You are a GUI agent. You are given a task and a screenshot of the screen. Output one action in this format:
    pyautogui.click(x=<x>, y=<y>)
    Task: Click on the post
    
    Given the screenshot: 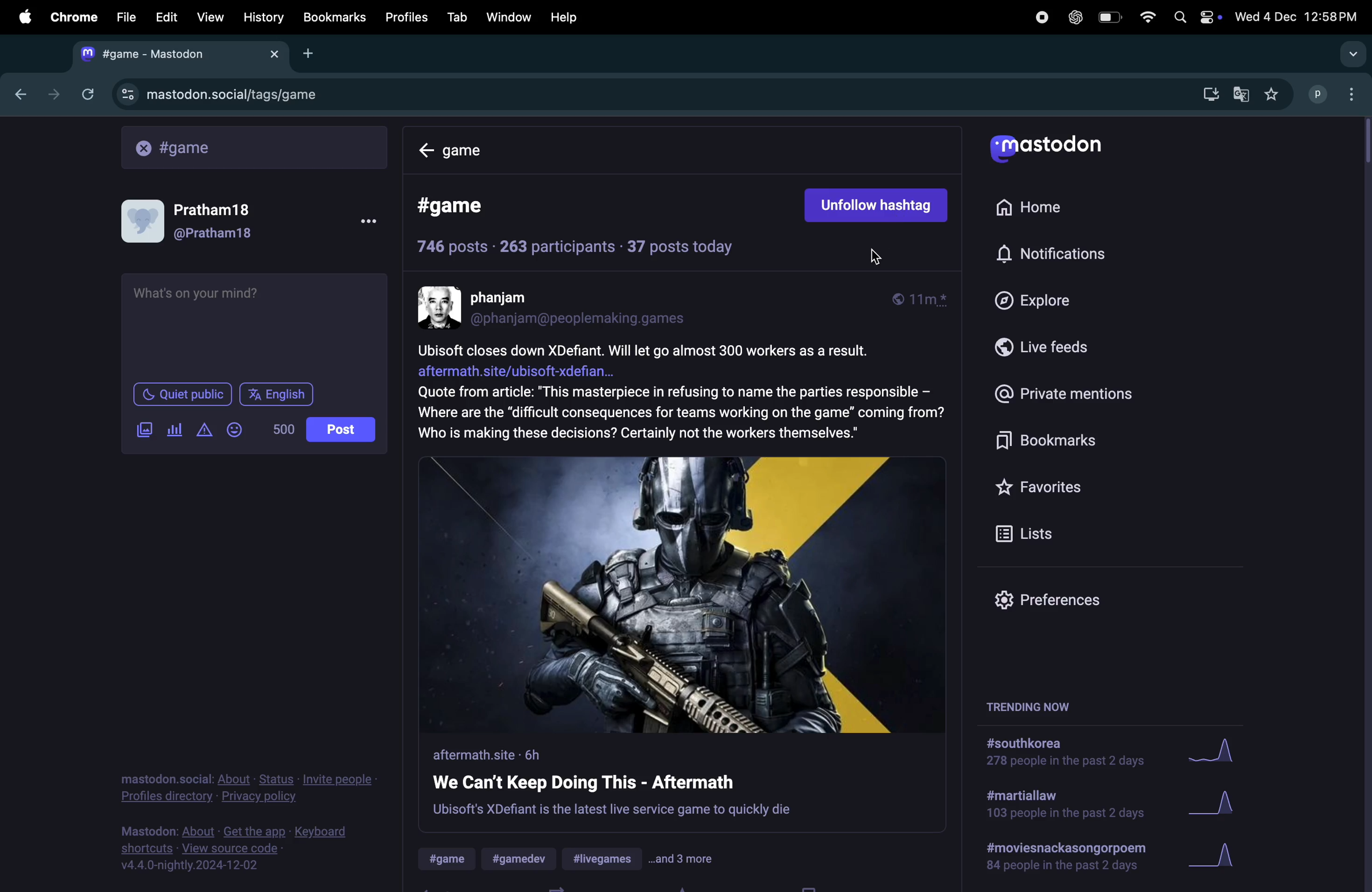 What is the action you would take?
    pyautogui.click(x=341, y=428)
    